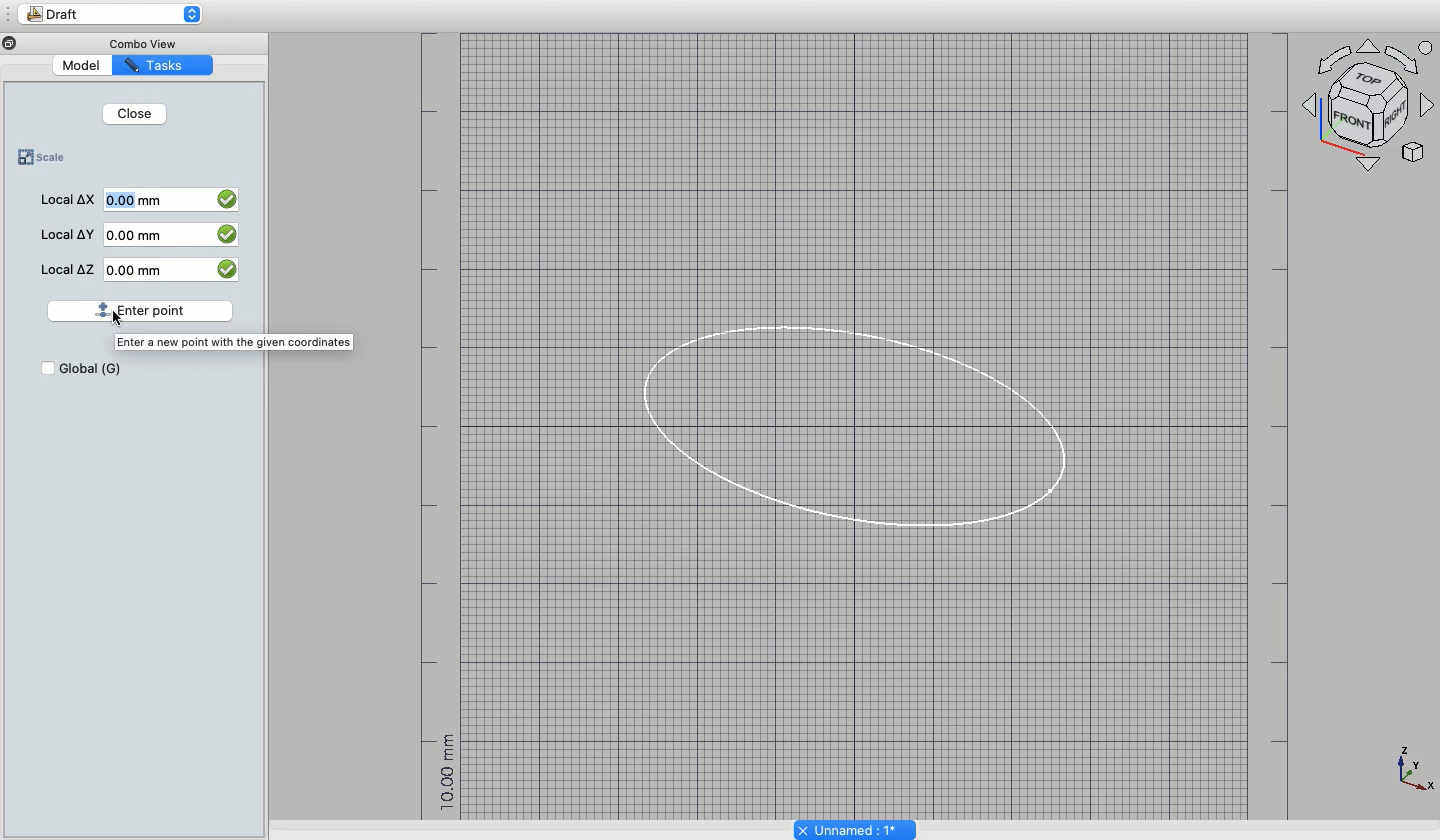  Describe the element at coordinates (9, 14) in the screenshot. I see `Sidebar` at that location.